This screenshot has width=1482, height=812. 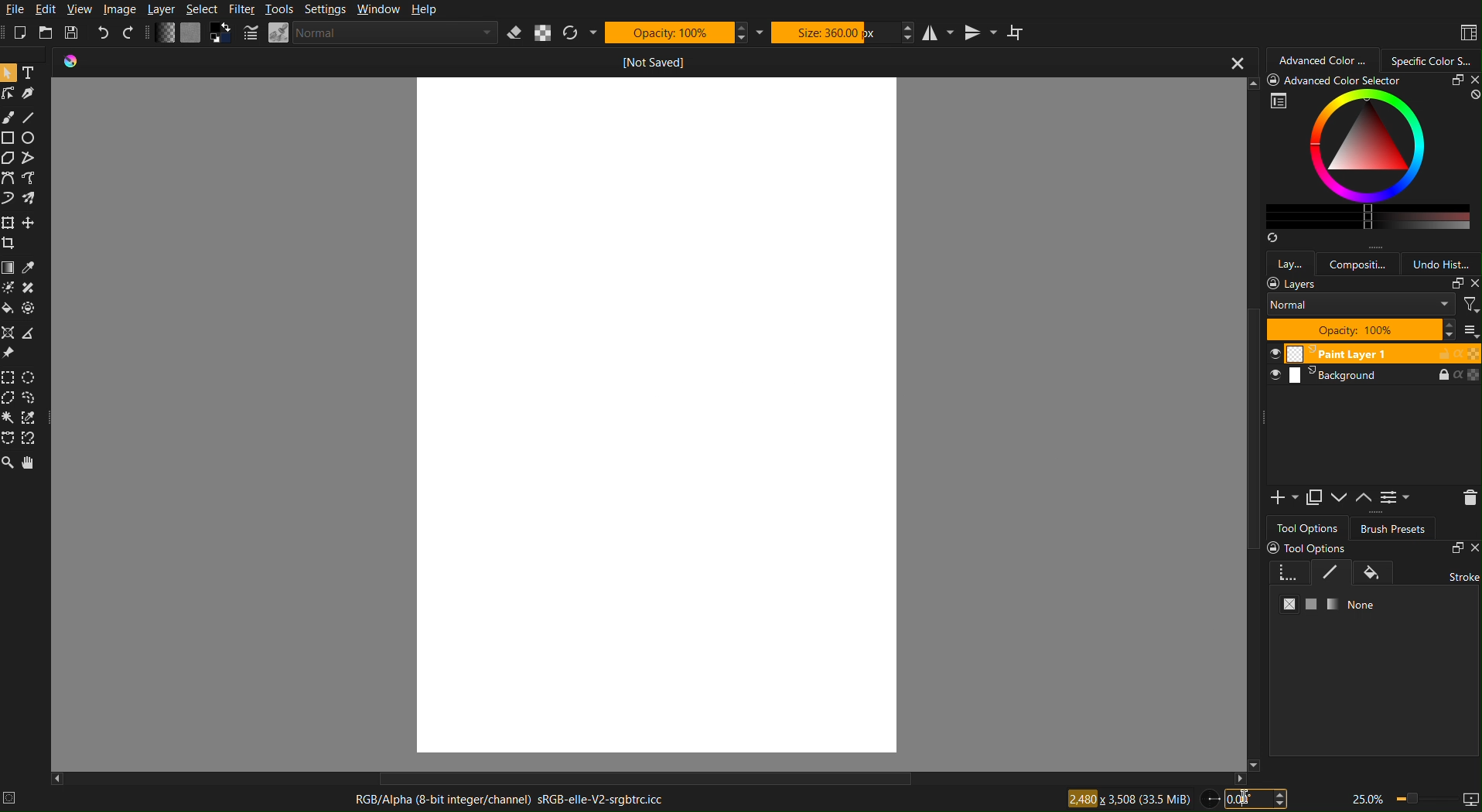 I want to click on layers, so click(x=1293, y=285).